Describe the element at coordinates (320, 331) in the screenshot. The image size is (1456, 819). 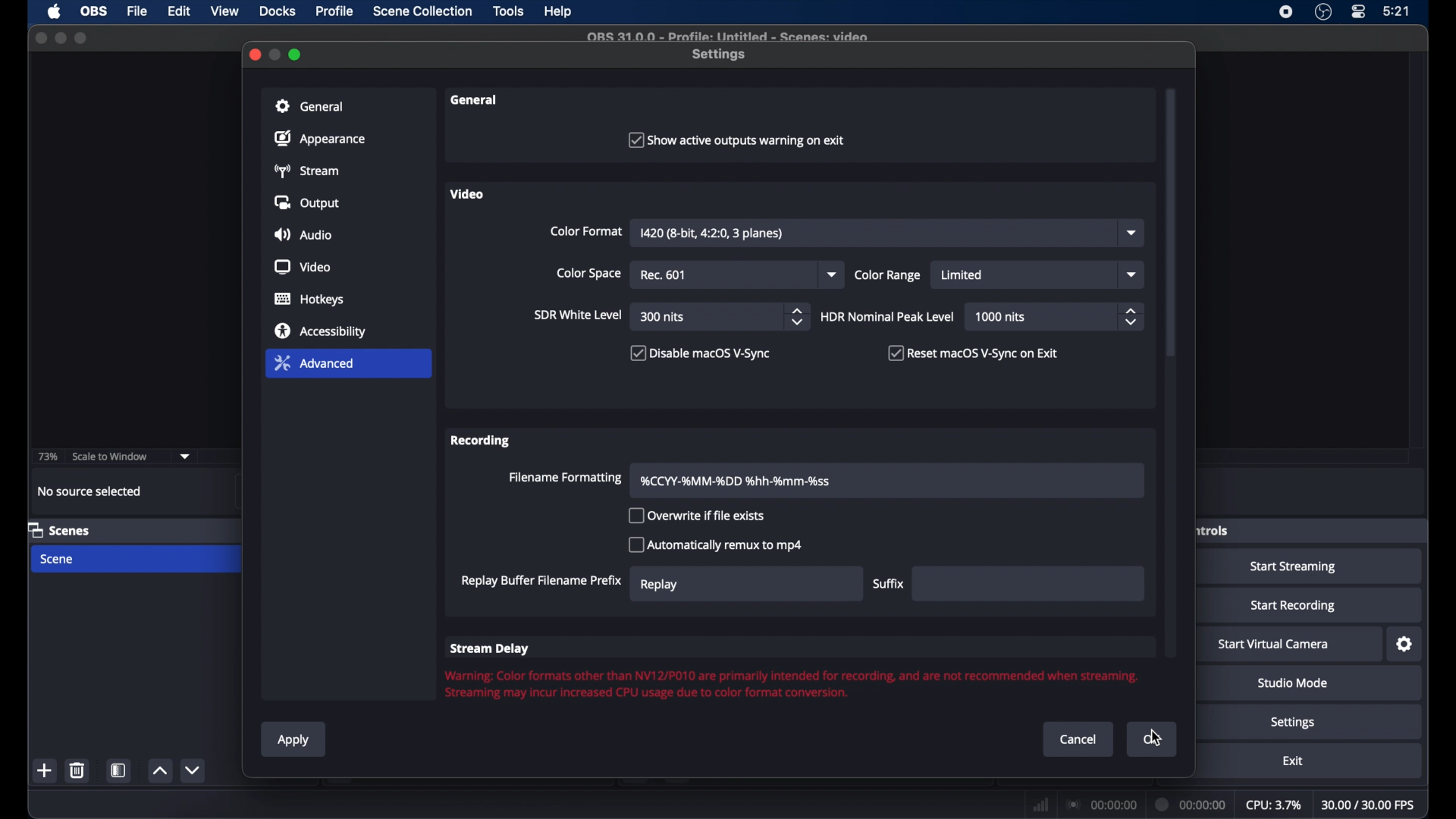
I see `accessibility` at that location.